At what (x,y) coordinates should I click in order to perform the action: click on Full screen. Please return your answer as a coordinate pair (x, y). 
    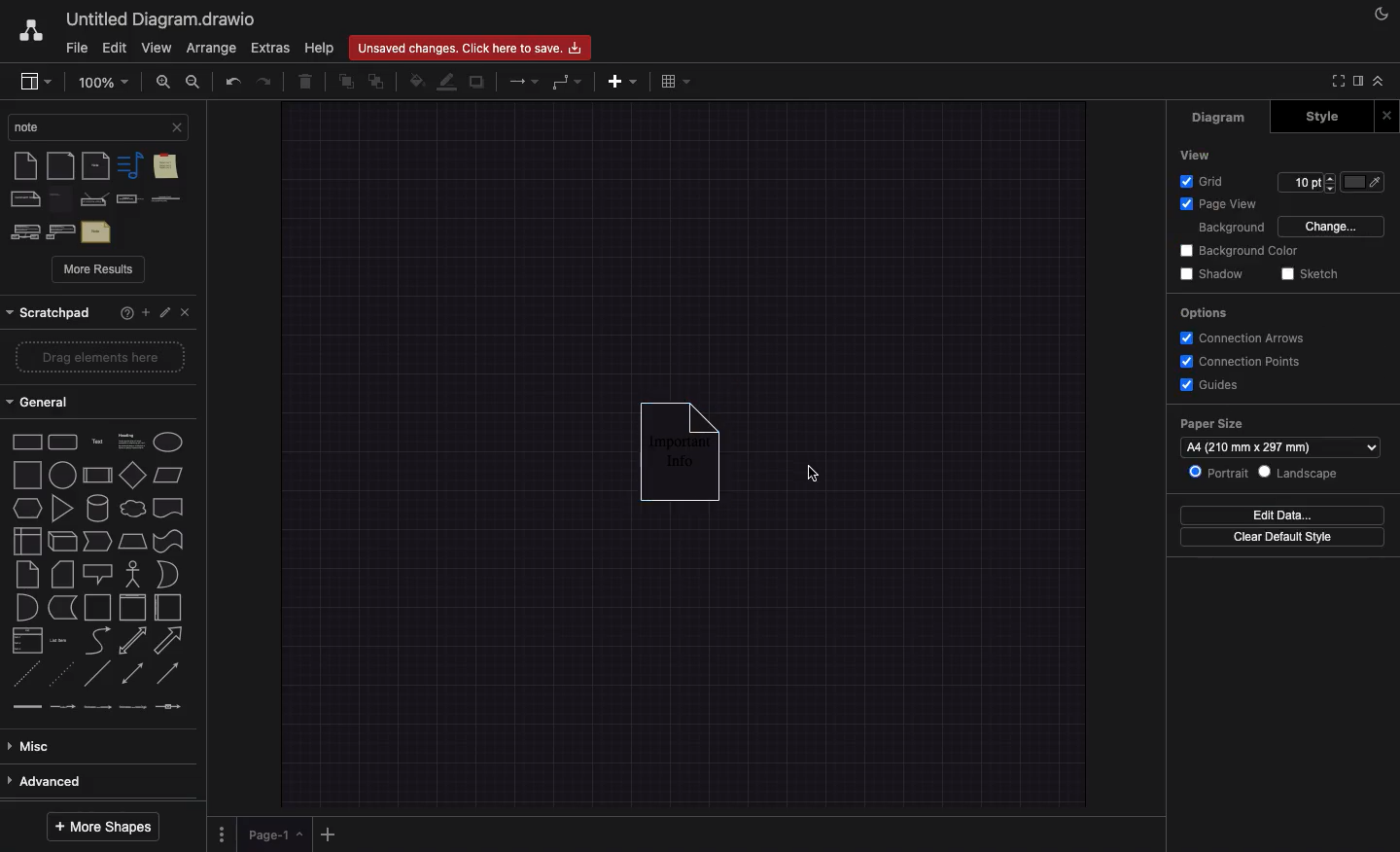
    Looking at the image, I should click on (1339, 82).